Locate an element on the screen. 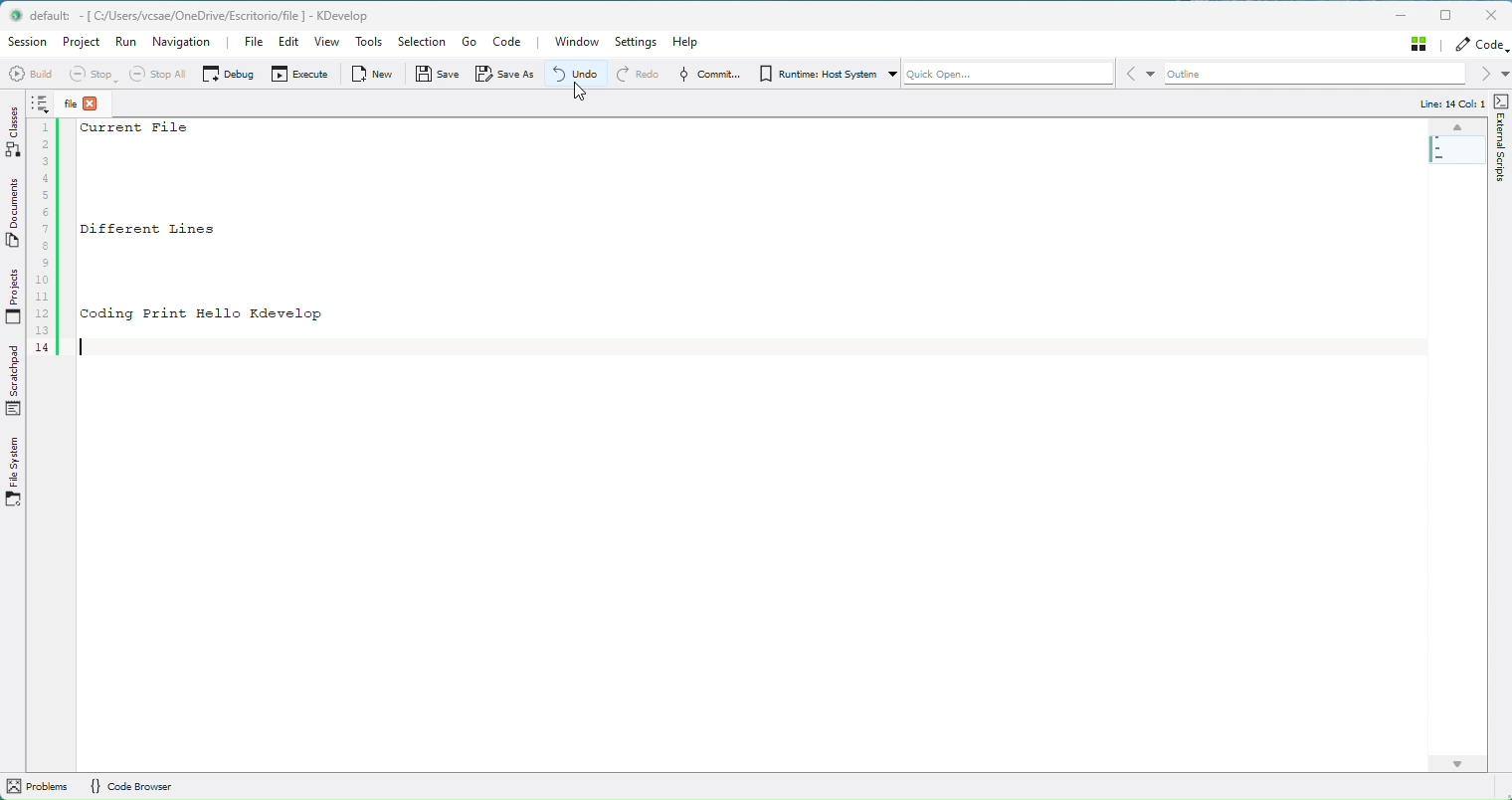  Save as is located at coordinates (508, 76).